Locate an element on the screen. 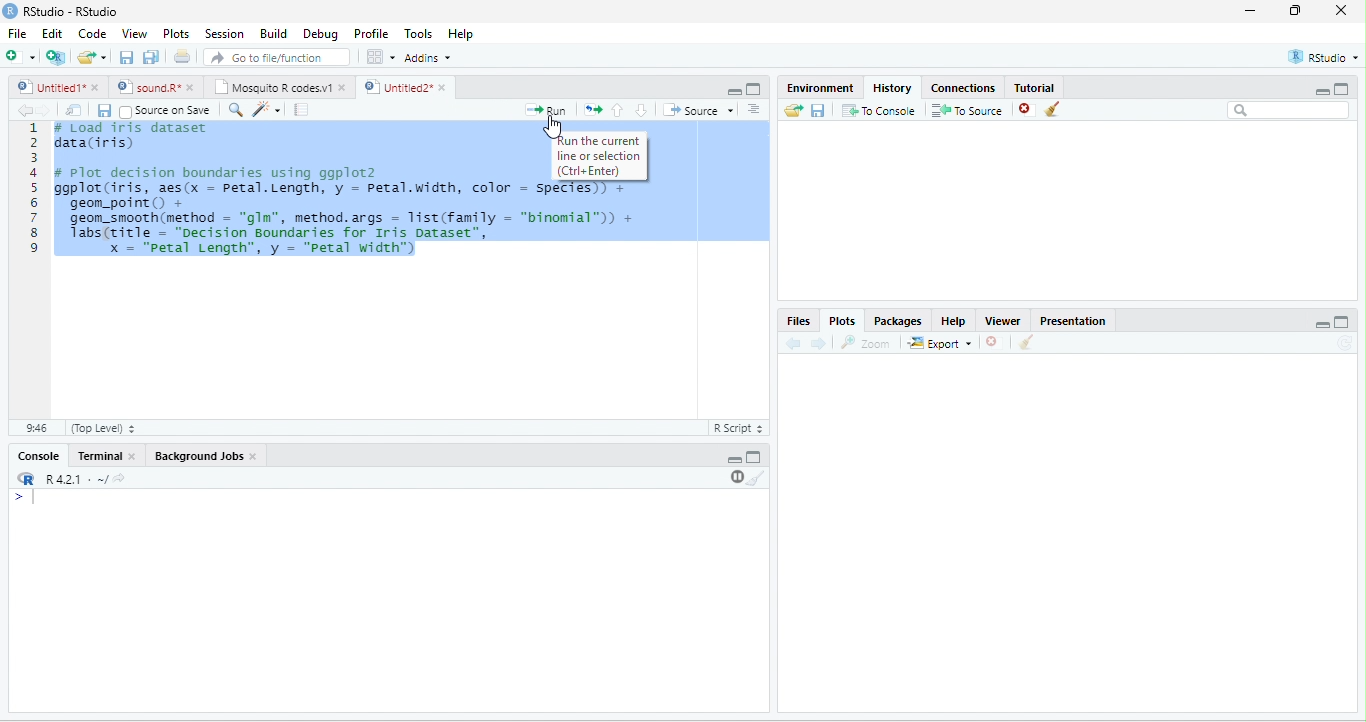 This screenshot has height=722, width=1366. Maximize is located at coordinates (1341, 322).